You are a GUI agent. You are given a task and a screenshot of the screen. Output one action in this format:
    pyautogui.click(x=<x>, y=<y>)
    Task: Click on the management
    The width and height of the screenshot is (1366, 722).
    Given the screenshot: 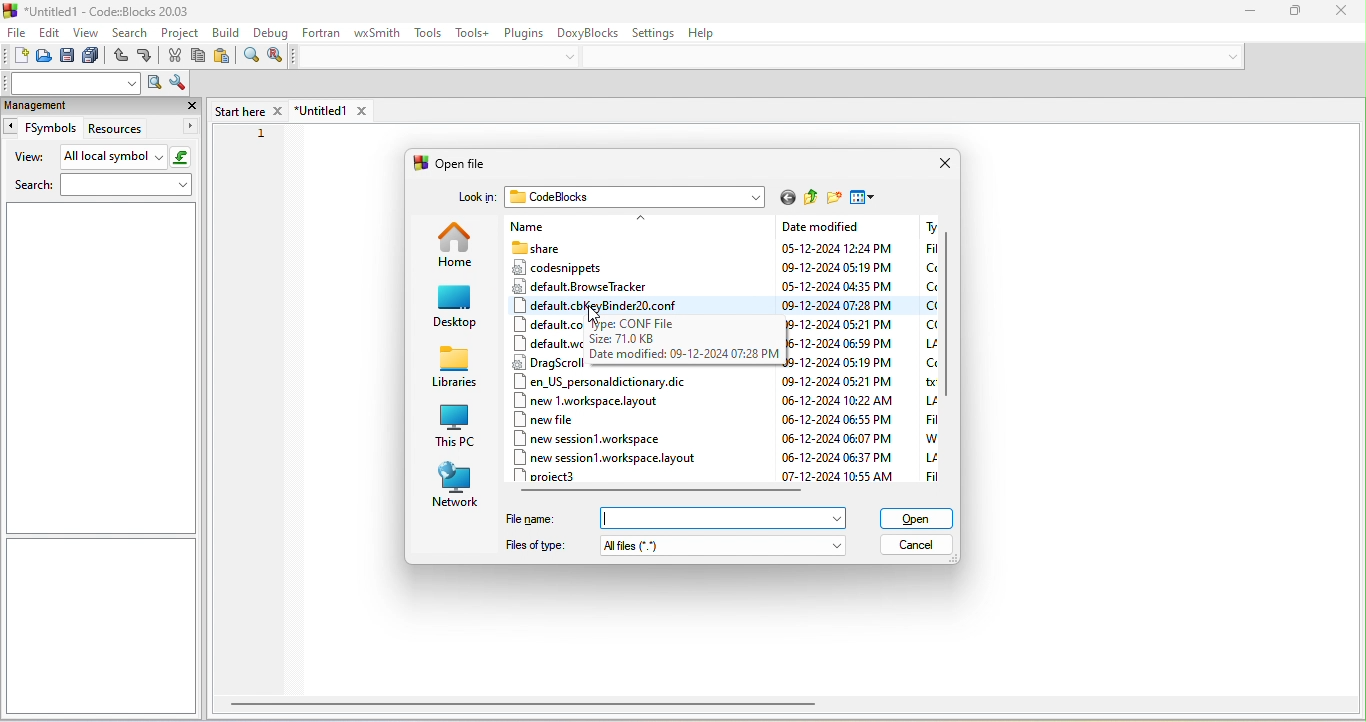 What is the action you would take?
    pyautogui.click(x=82, y=106)
    